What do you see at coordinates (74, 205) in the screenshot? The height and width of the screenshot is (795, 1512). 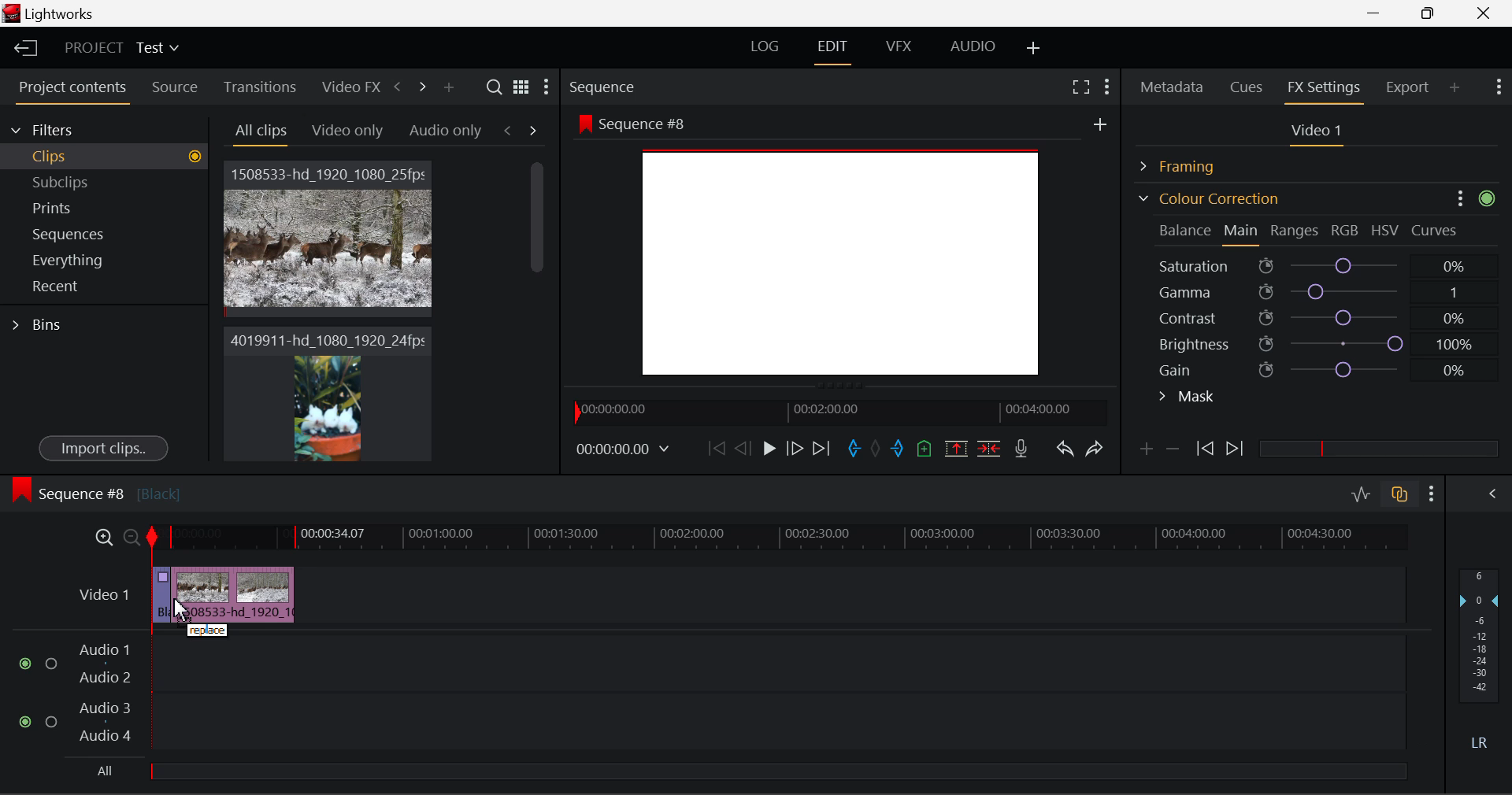 I see `Prints` at bounding box center [74, 205].